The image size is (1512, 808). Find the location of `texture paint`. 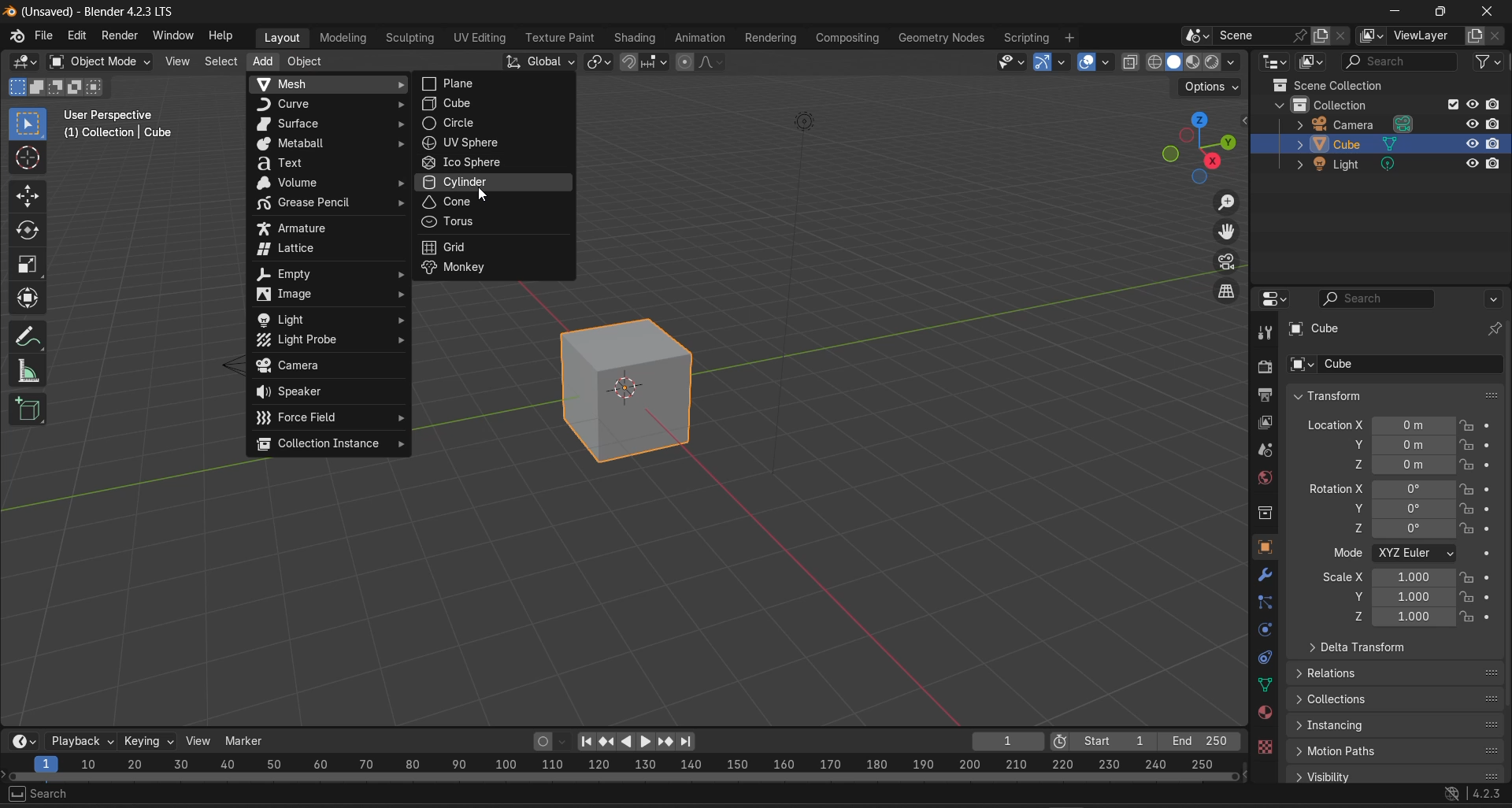

texture paint is located at coordinates (558, 36).